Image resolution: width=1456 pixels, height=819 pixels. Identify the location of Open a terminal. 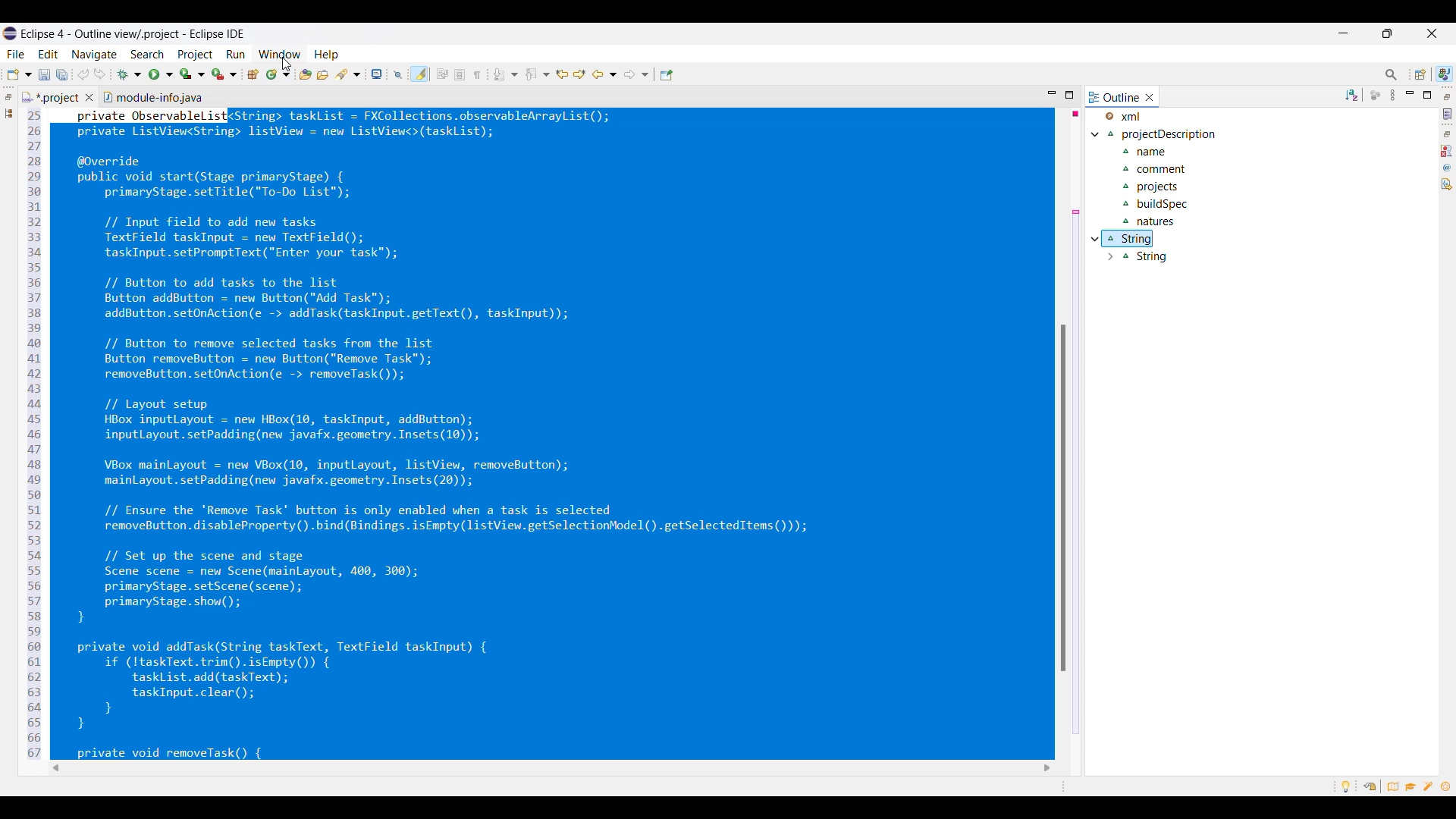
(376, 74).